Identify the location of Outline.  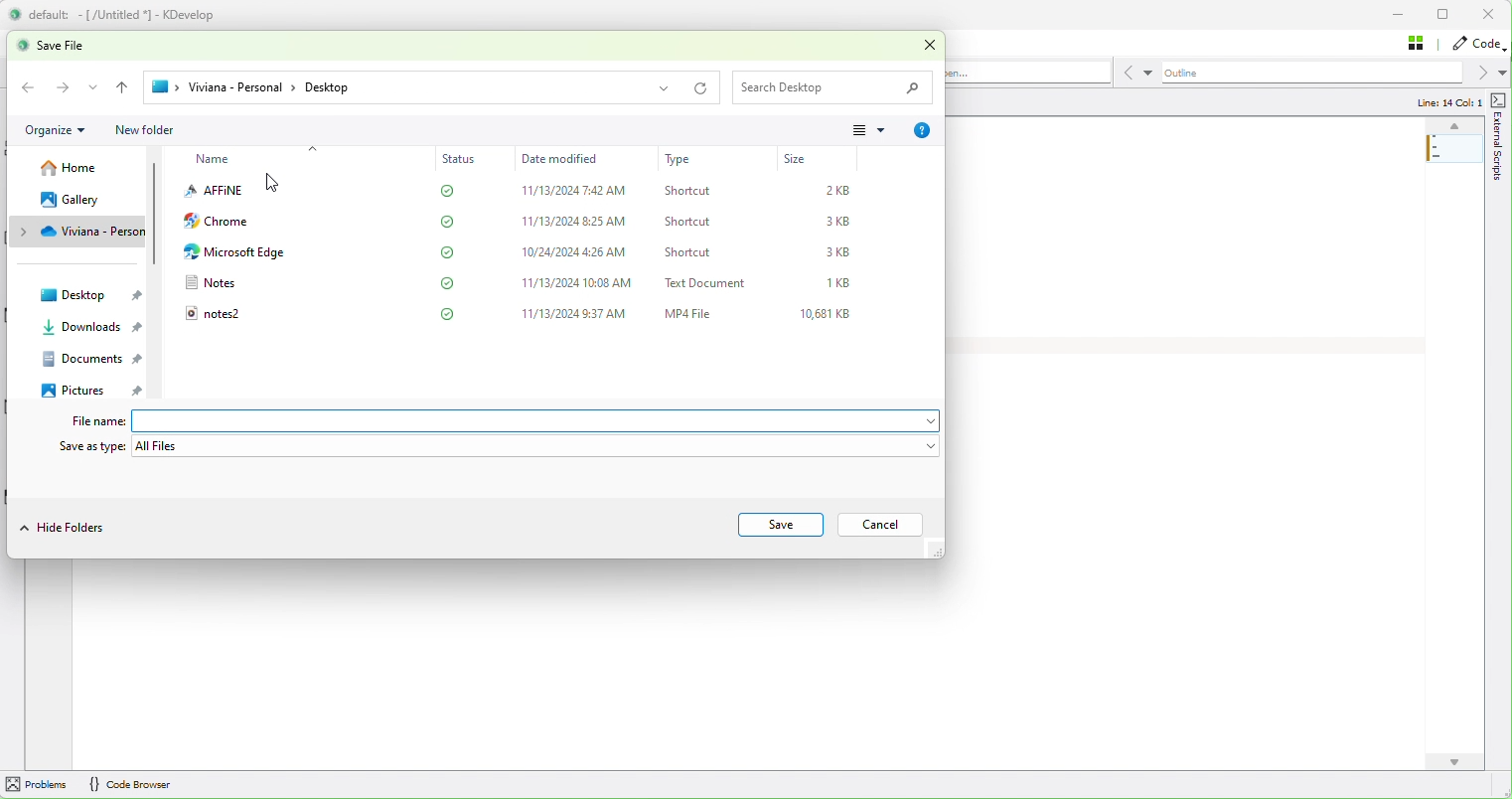
(1334, 73).